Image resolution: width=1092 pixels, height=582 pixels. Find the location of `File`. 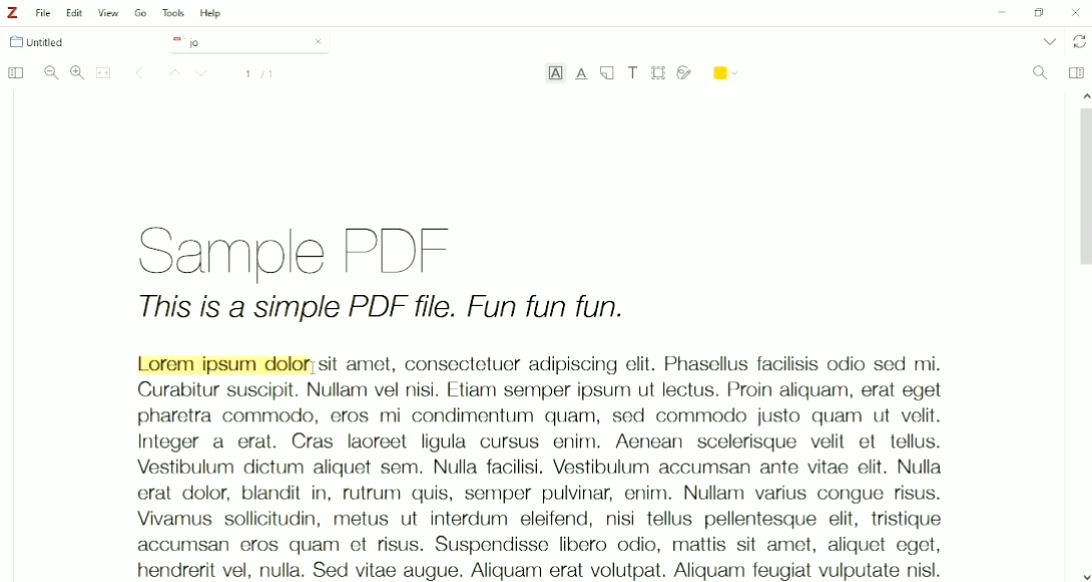

File is located at coordinates (44, 13).